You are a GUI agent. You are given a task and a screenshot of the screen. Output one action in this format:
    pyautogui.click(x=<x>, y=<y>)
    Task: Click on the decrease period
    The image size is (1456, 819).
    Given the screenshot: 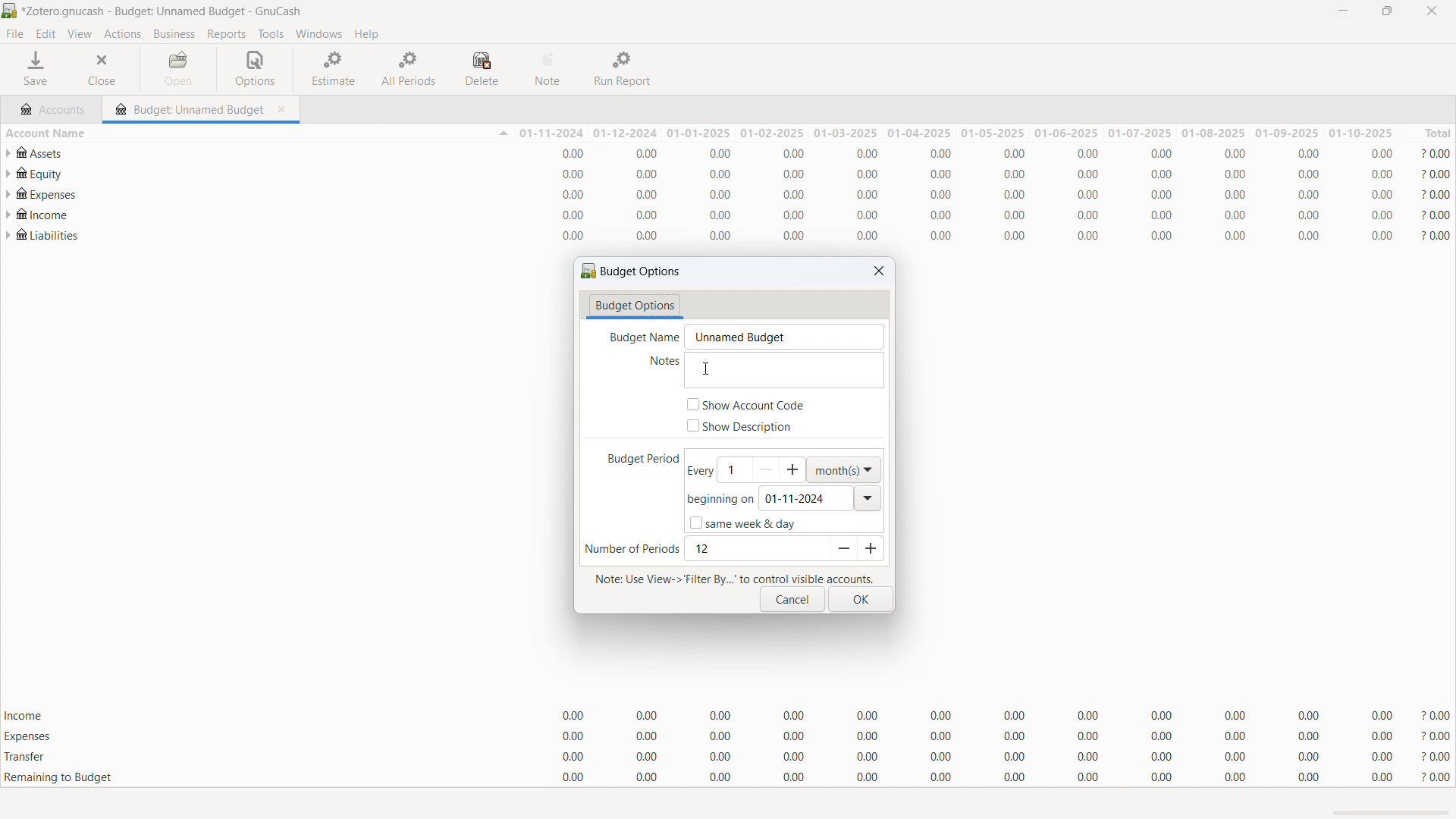 What is the action you would take?
    pyautogui.click(x=840, y=549)
    